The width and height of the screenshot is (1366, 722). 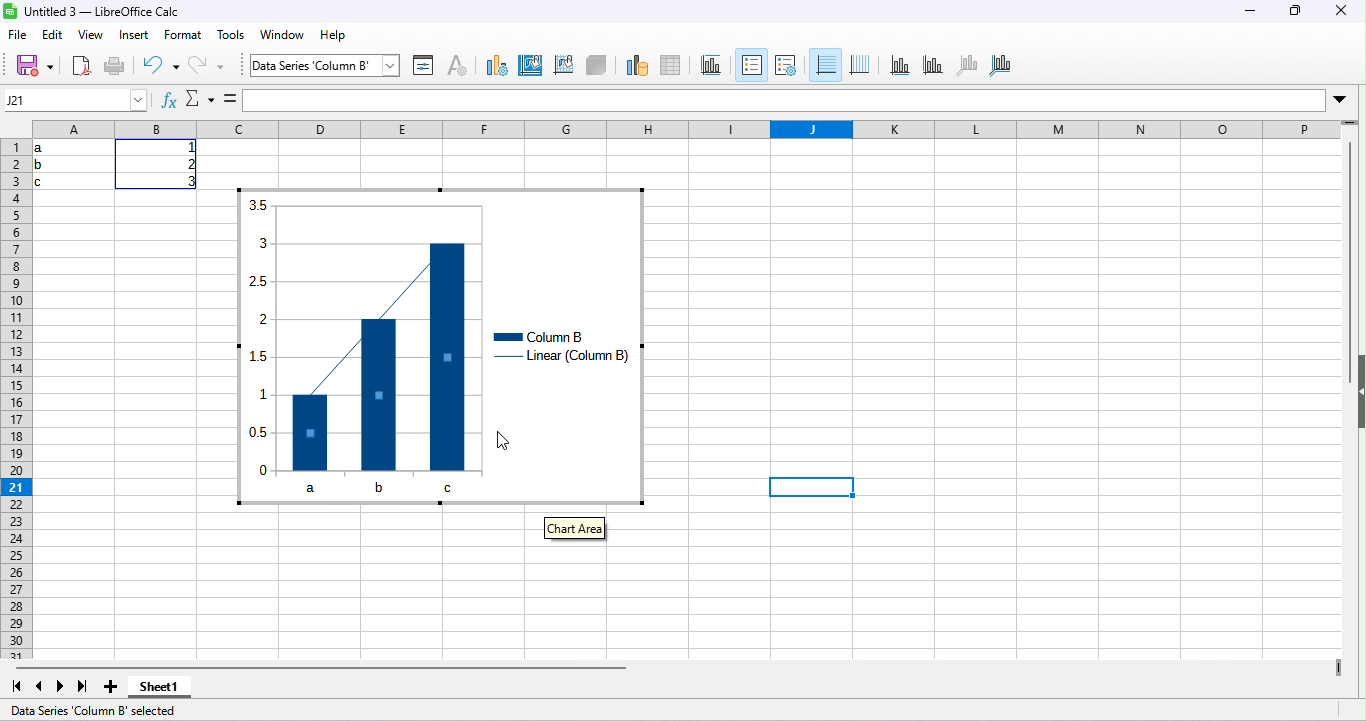 I want to click on help, so click(x=345, y=36).